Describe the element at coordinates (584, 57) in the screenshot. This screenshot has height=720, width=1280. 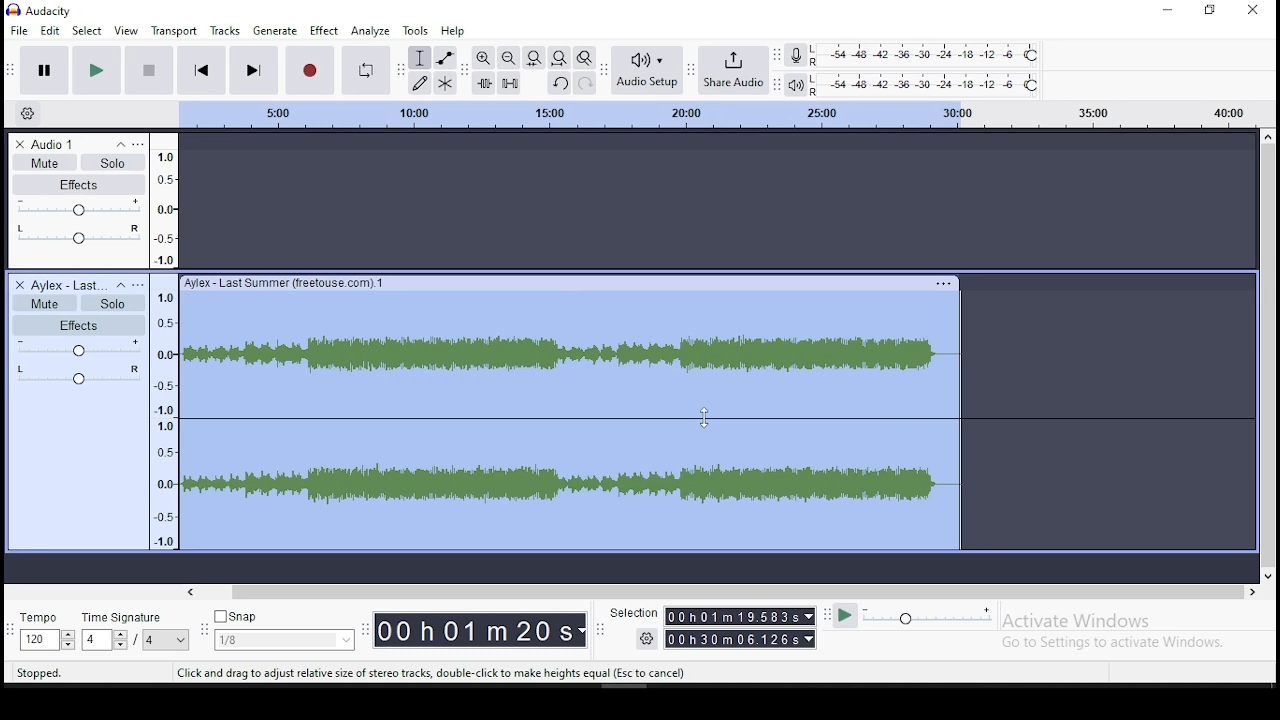
I see `zoom toggle` at that location.